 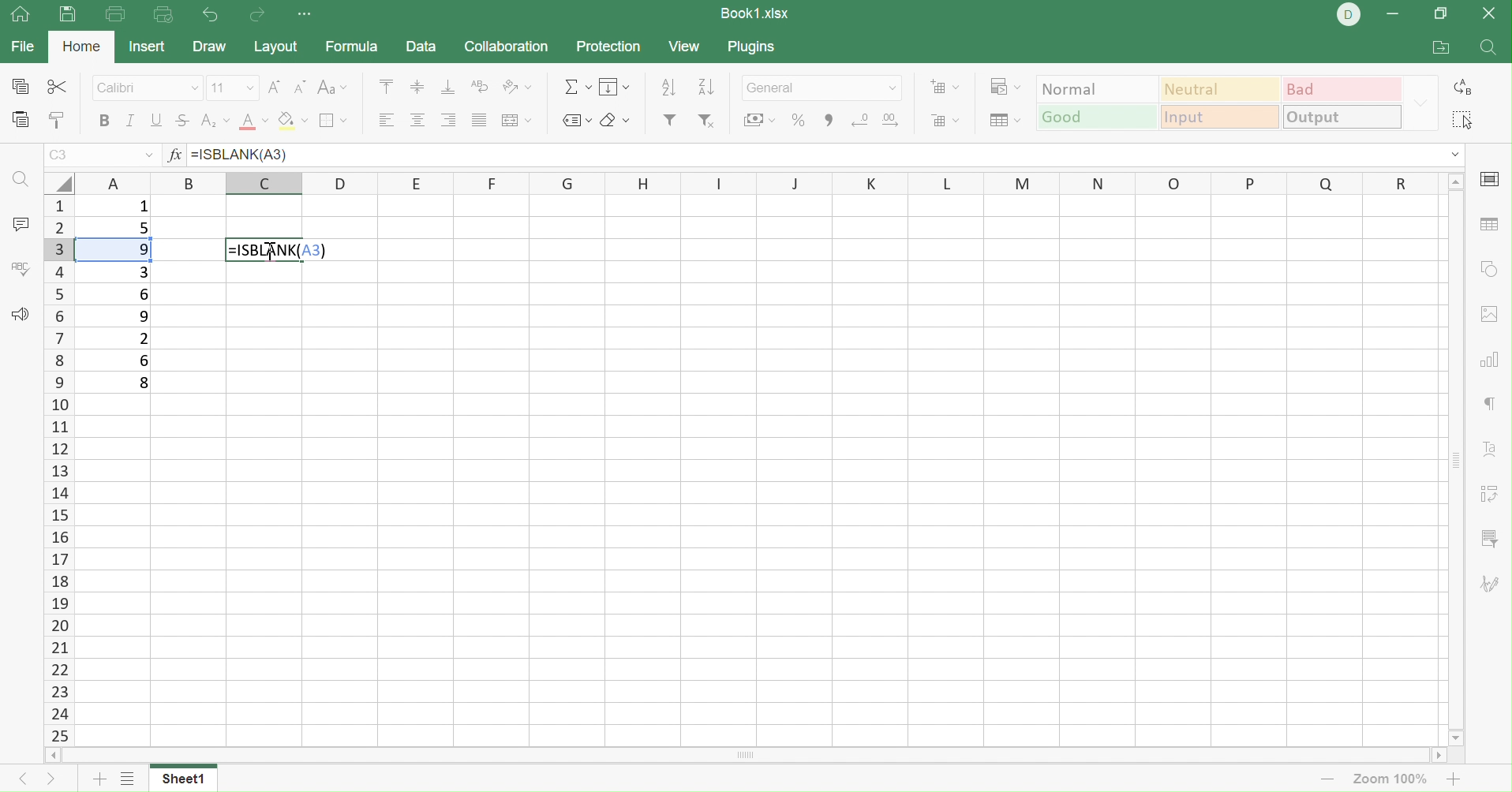 What do you see at coordinates (574, 120) in the screenshot?
I see `Named ranges` at bounding box center [574, 120].